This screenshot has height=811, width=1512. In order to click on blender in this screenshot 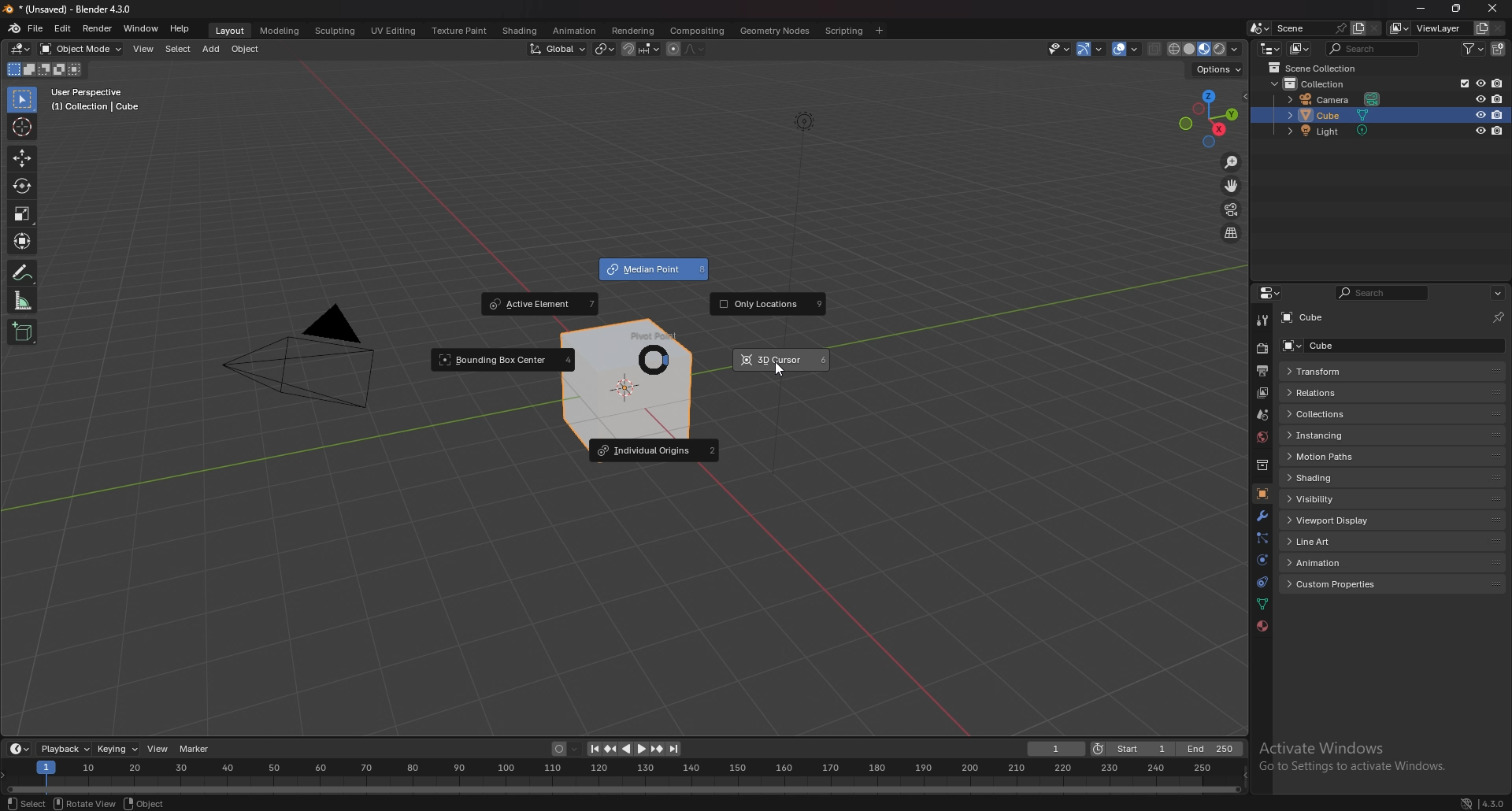, I will do `click(13, 29)`.